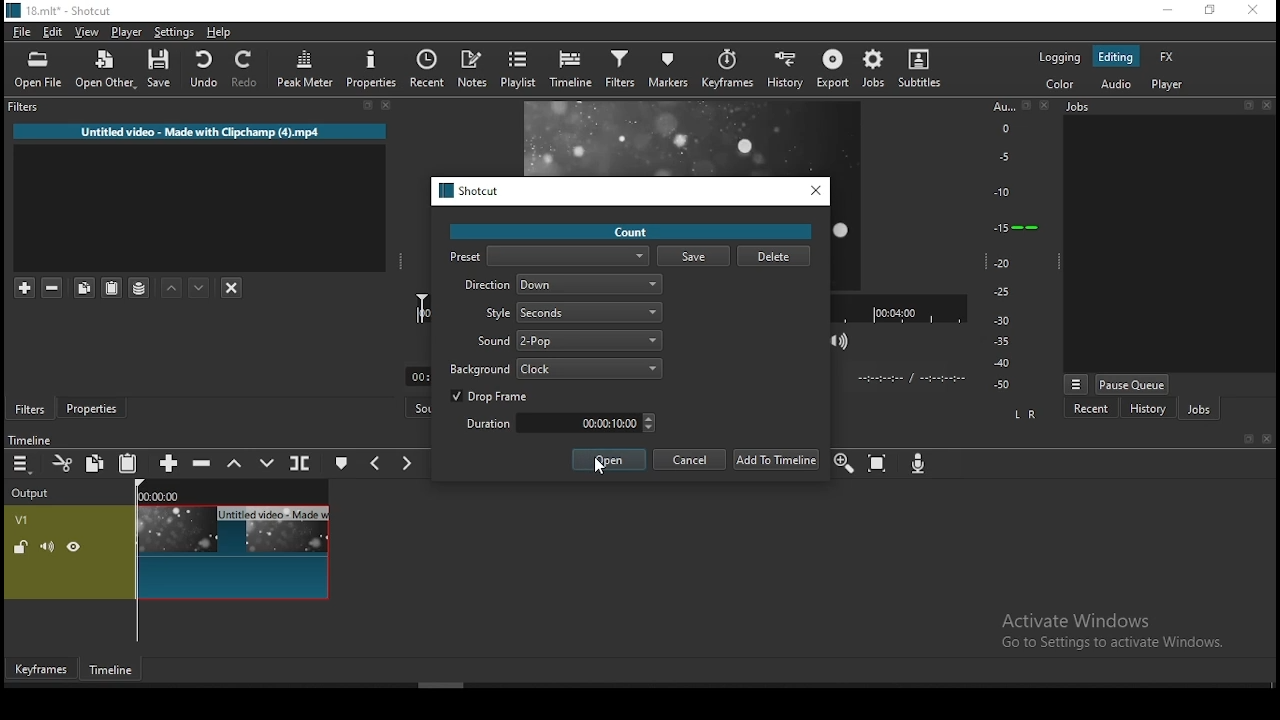 The image size is (1280, 720). Describe the element at coordinates (167, 463) in the screenshot. I see `append` at that location.